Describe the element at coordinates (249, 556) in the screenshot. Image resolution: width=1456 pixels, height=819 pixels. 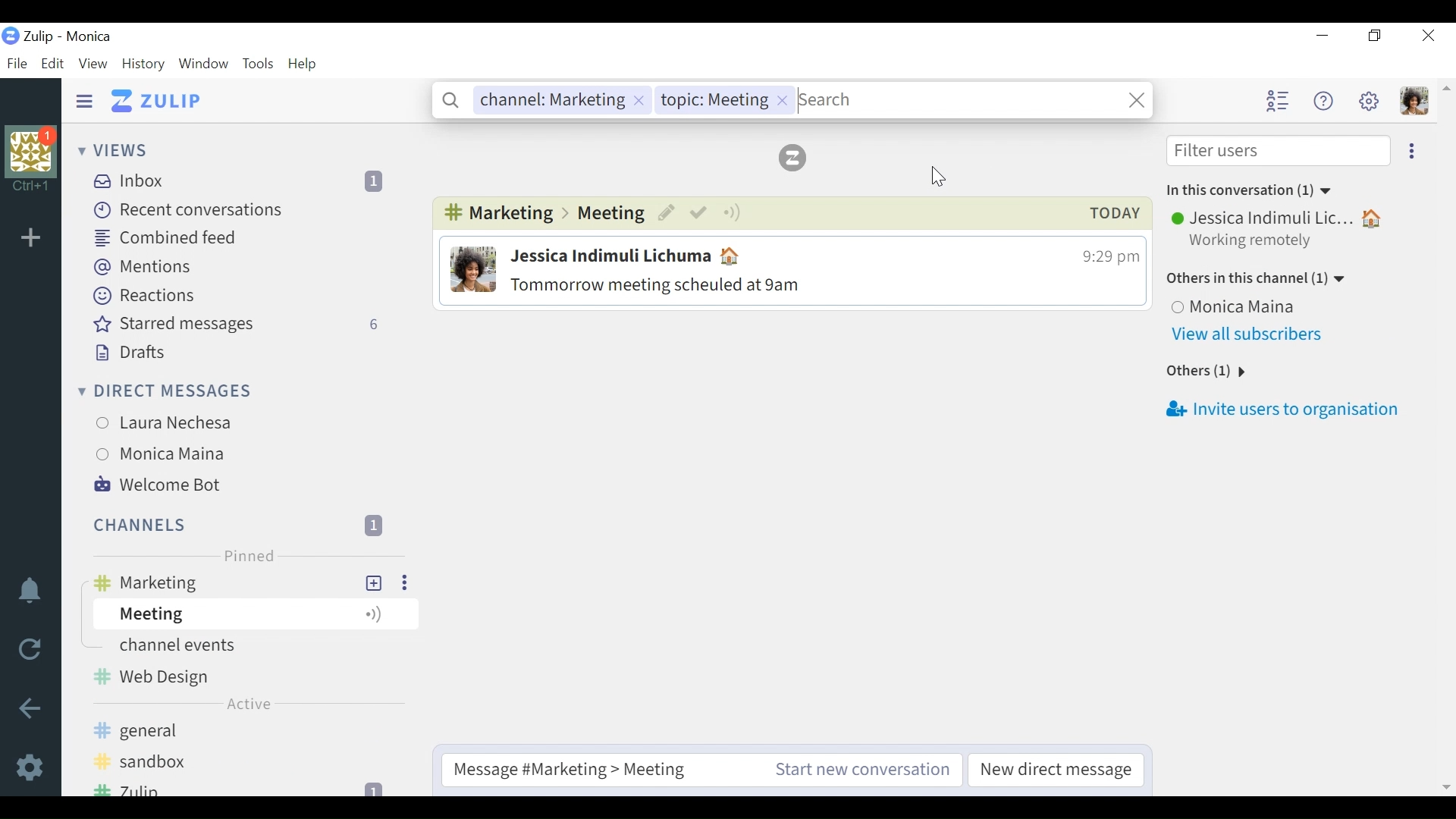
I see `Pinned` at that location.